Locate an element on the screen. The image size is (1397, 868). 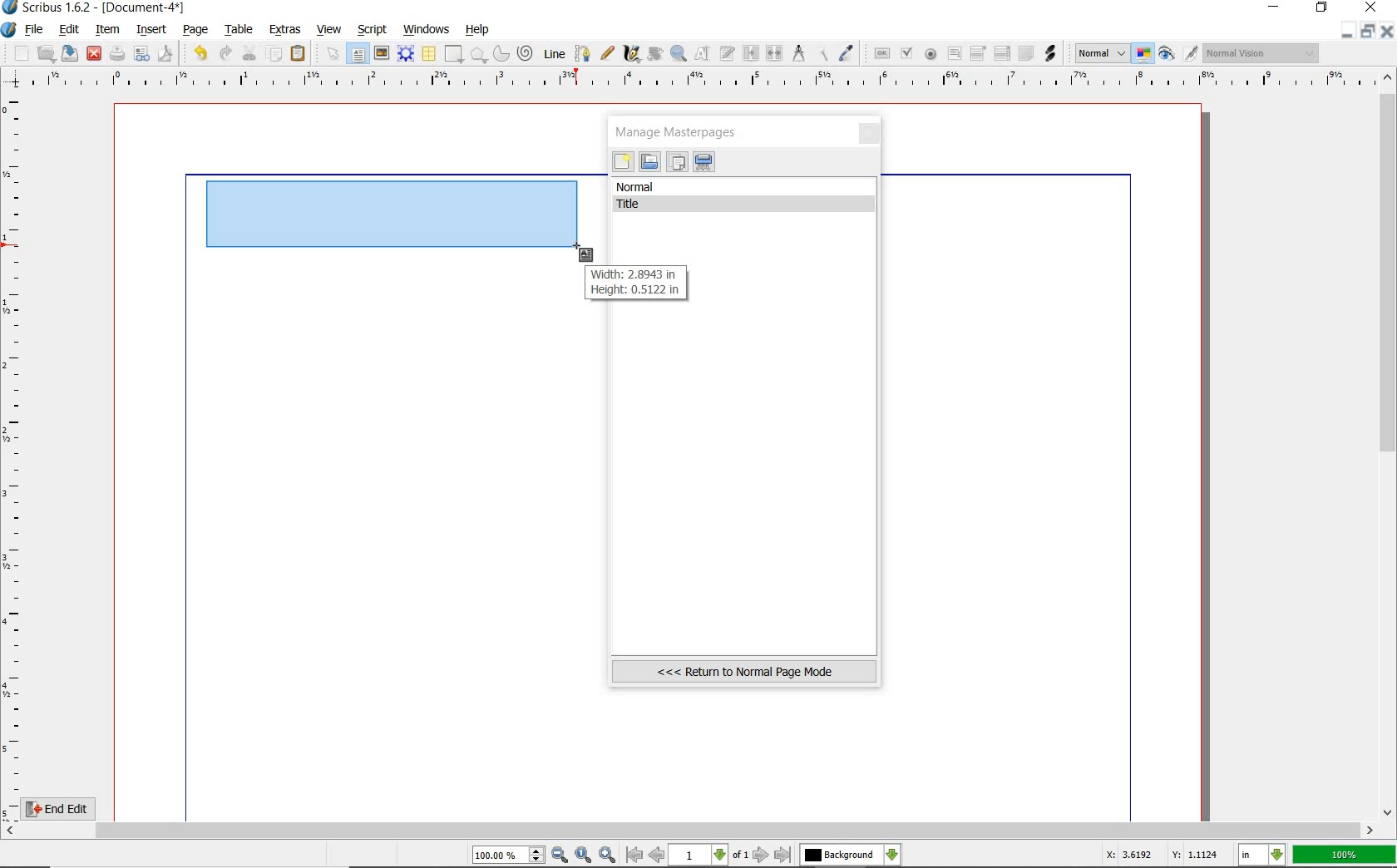
Normal Vision is located at coordinates (1262, 55).